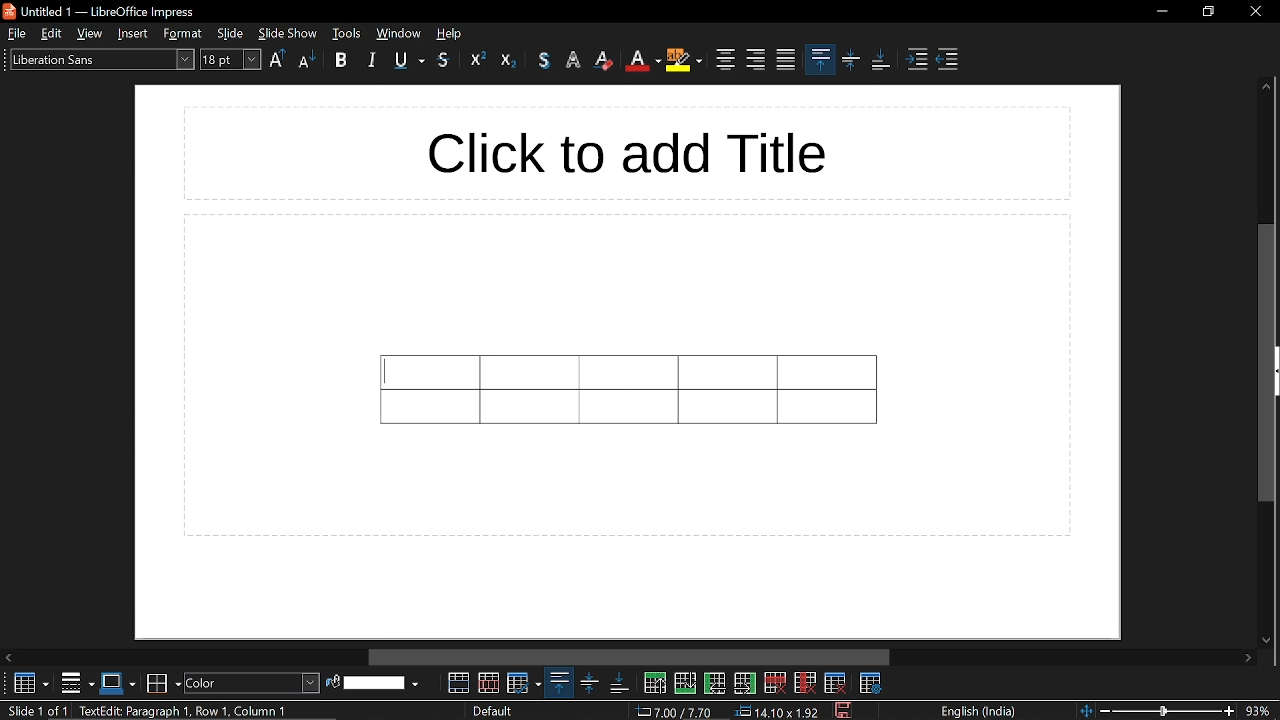  Describe the element at coordinates (383, 683) in the screenshot. I see `fill color` at that location.